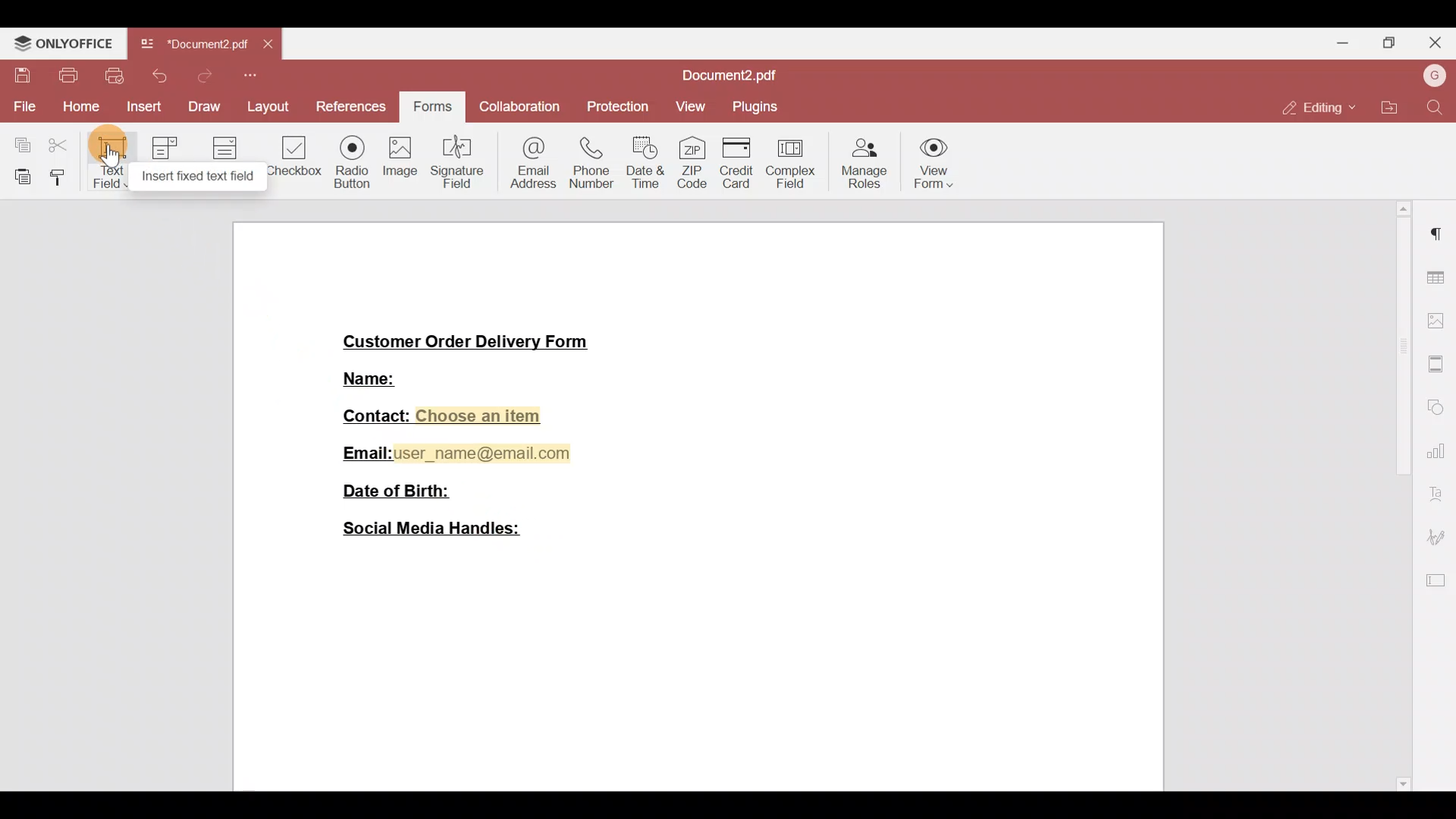 The height and width of the screenshot is (819, 1456). What do you see at coordinates (17, 142) in the screenshot?
I see `Copy` at bounding box center [17, 142].